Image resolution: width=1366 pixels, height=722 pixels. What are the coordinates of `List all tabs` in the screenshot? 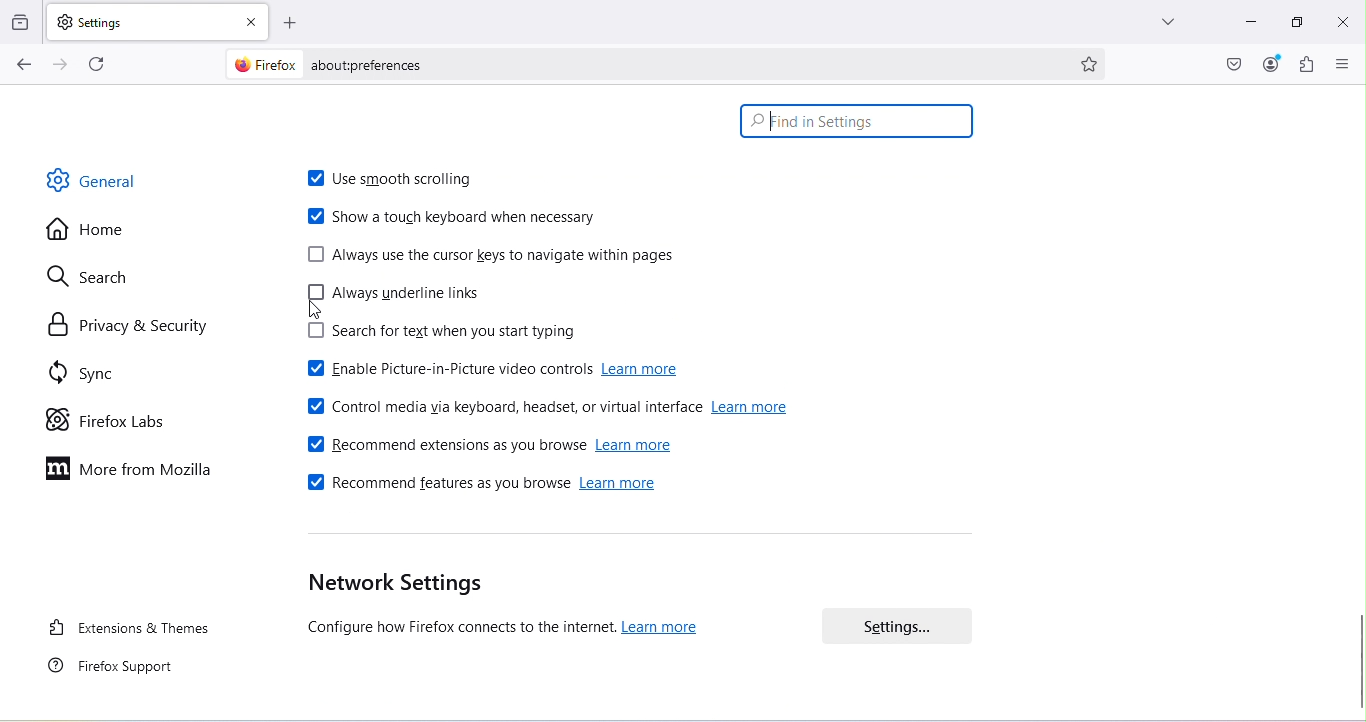 It's located at (1159, 18).